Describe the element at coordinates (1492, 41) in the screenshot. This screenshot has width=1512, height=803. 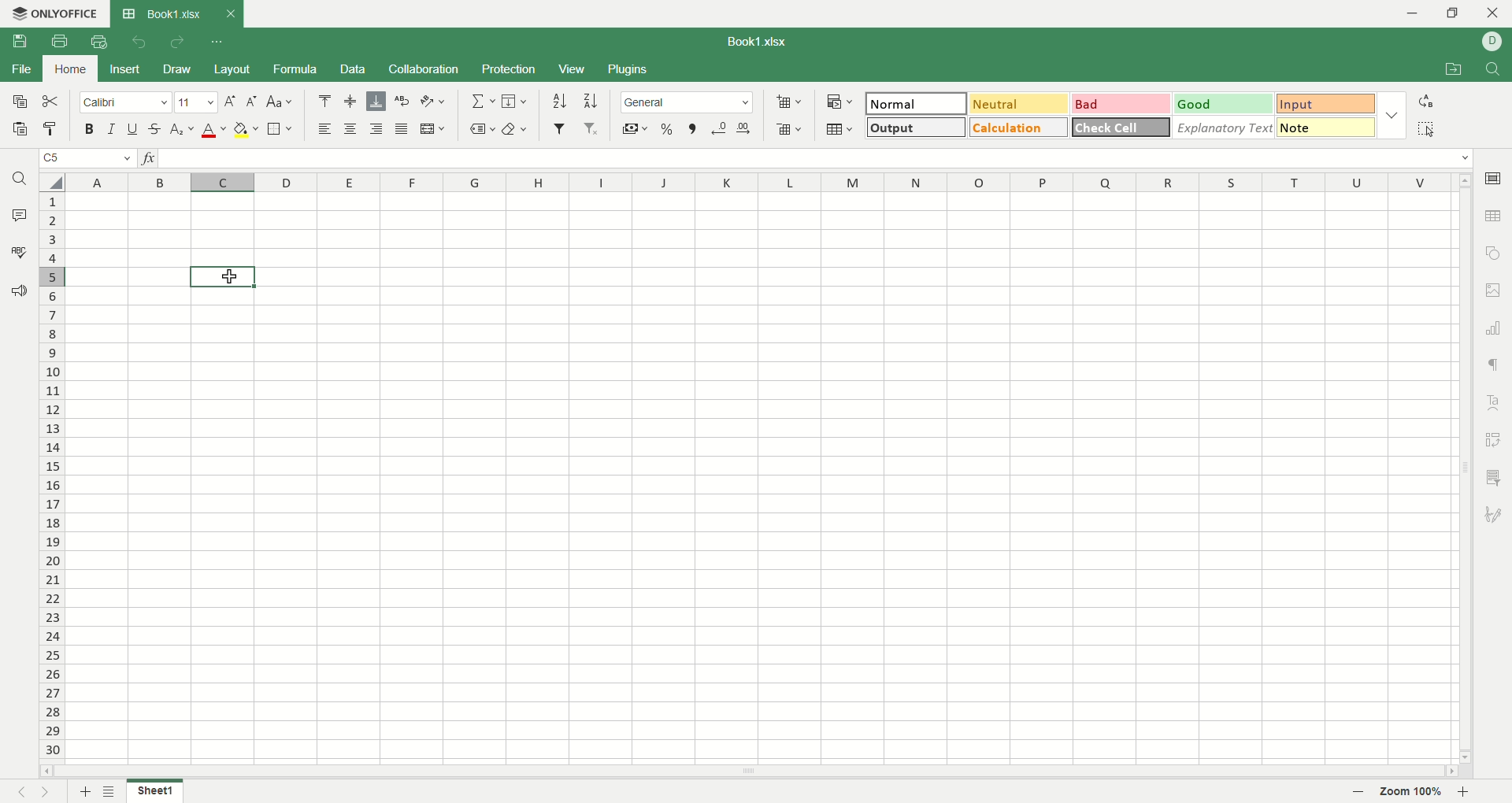
I see `account` at that location.